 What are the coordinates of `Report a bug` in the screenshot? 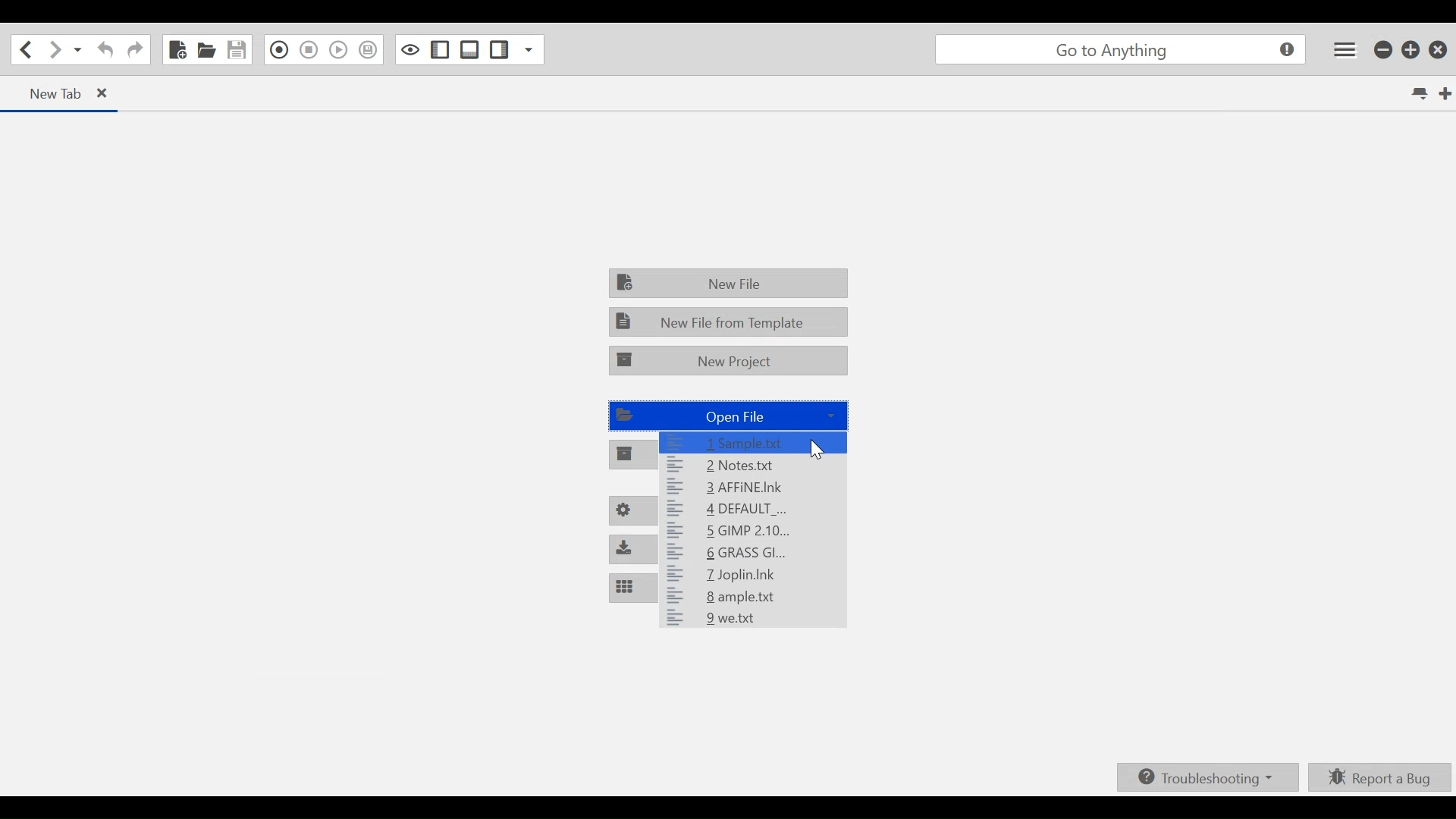 It's located at (1380, 777).